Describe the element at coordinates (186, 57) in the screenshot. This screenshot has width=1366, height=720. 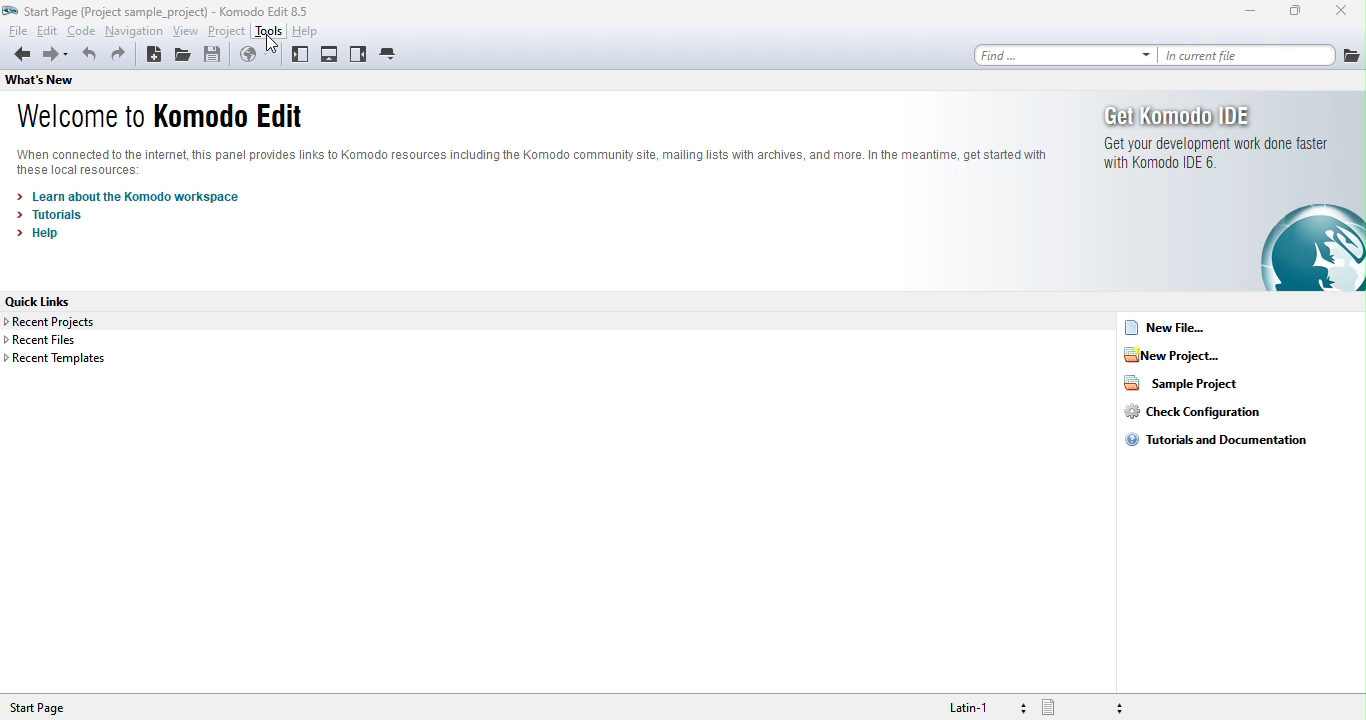
I see `open file` at that location.